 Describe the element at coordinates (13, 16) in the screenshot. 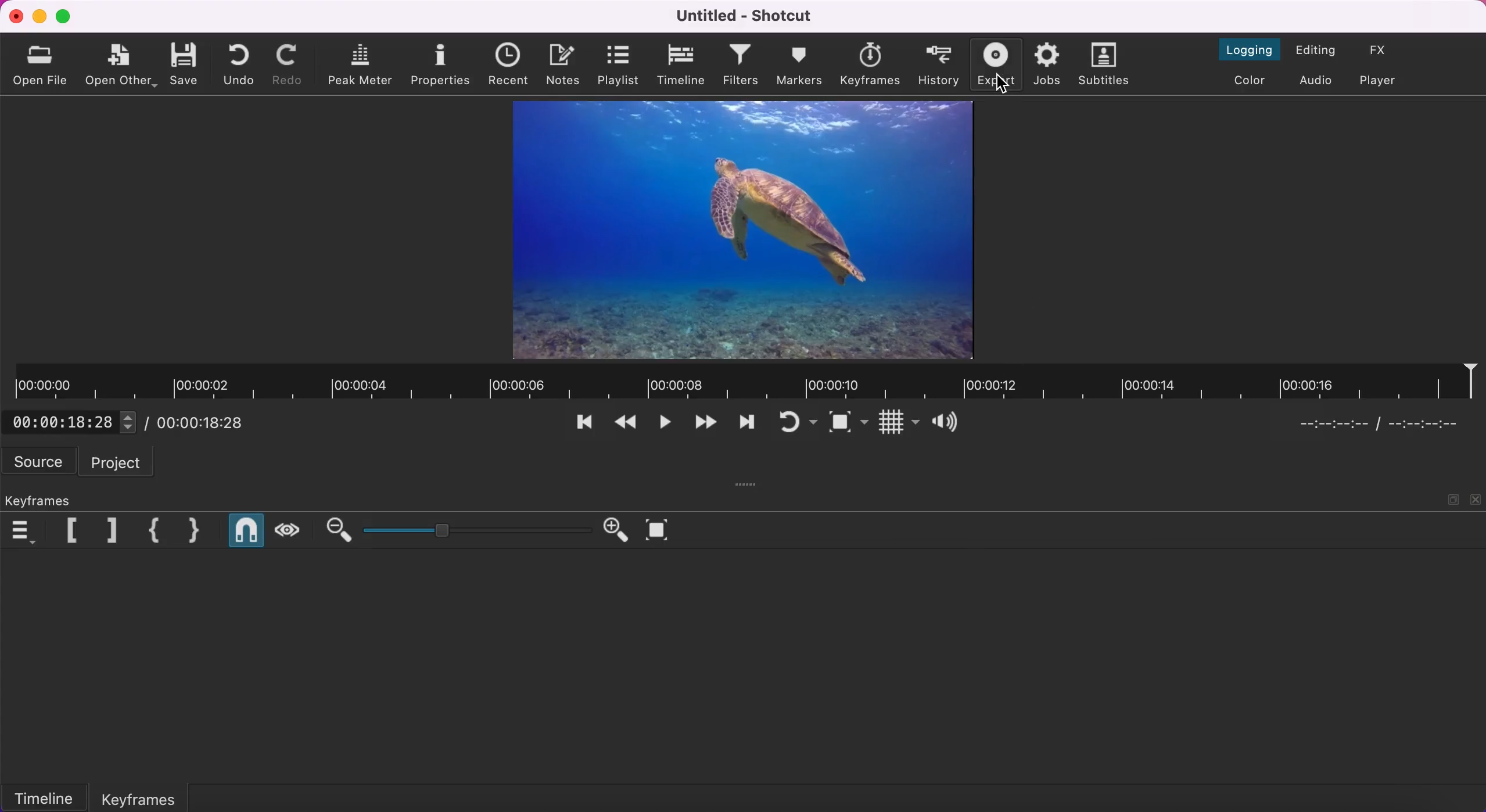

I see `close Shotcut` at that location.